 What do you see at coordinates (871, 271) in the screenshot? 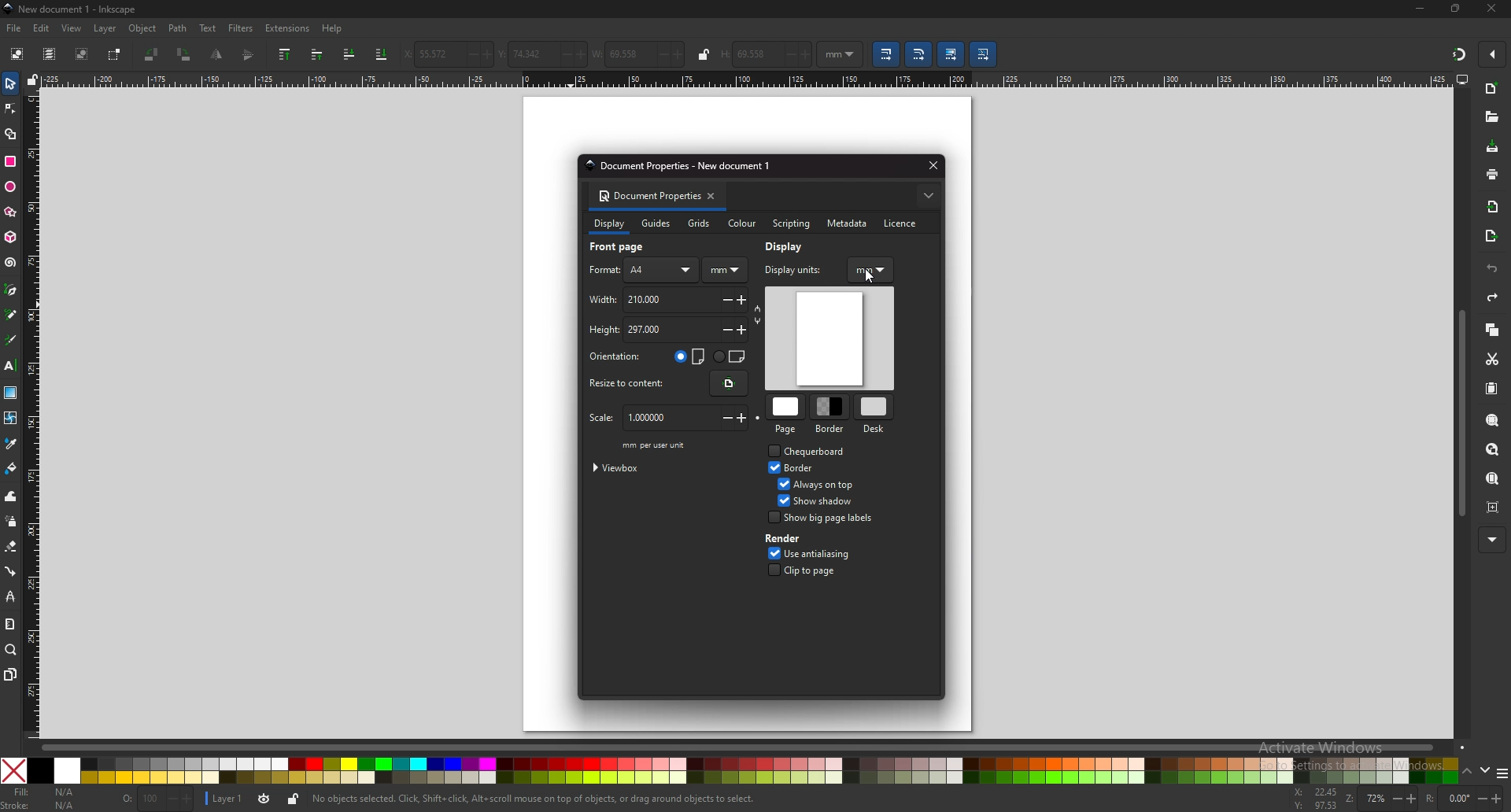
I see `mm` at bounding box center [871, 271].